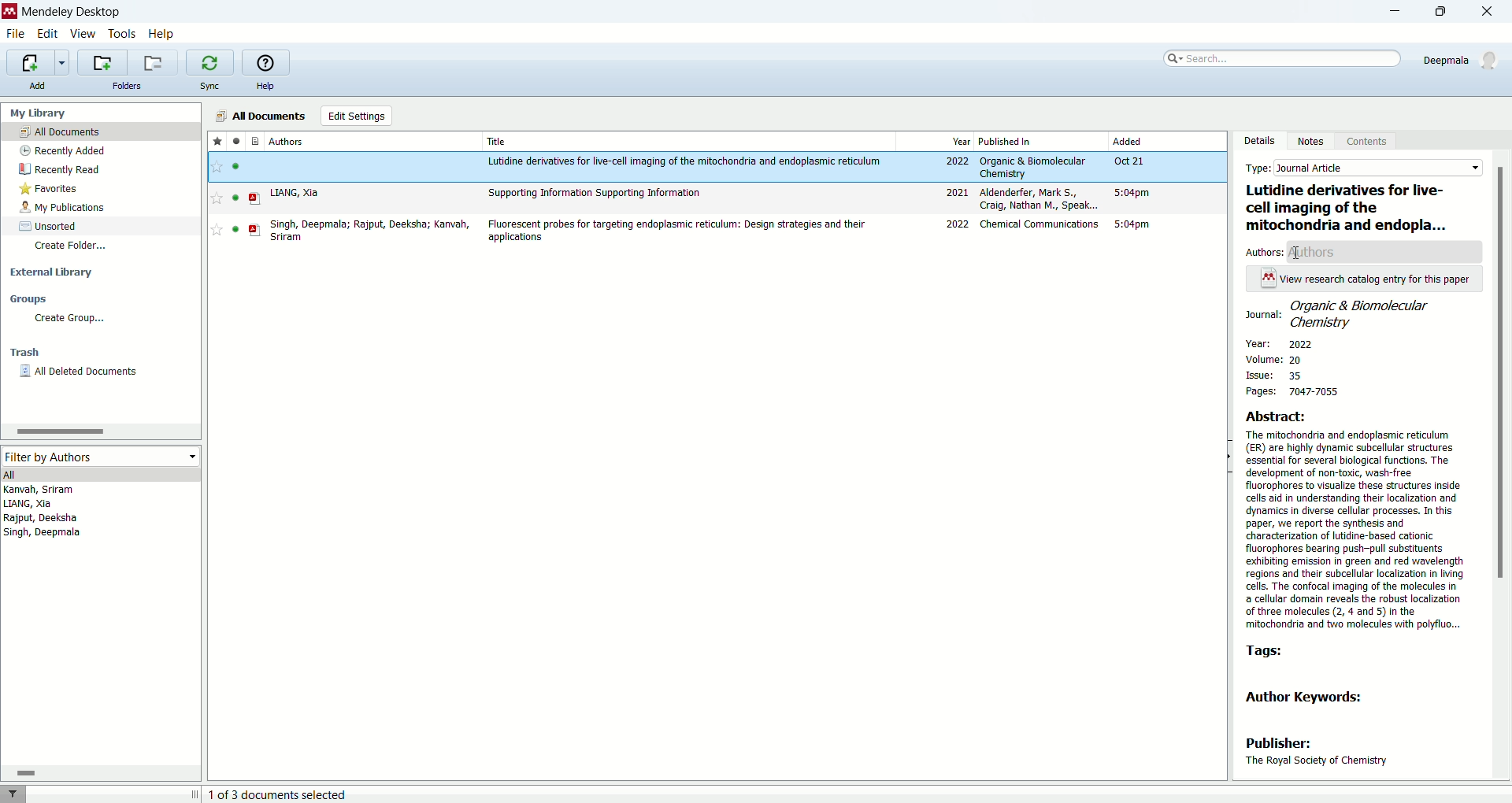 This screenshot has height=803, width=1512. Describe the element at coordinates (52, 271) in the screenshot. I see `external library` at that location.